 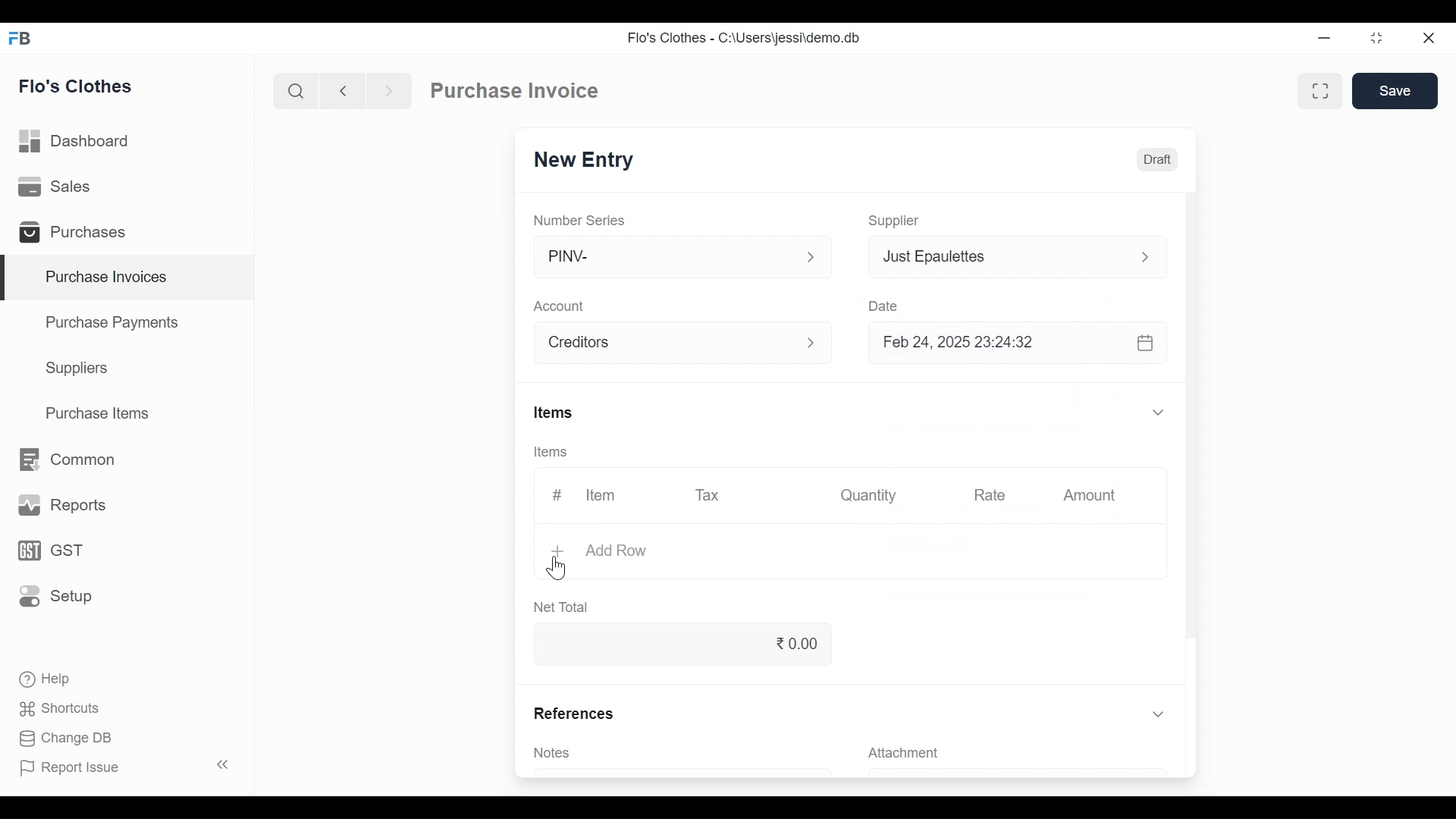 I want to click on Items, so click(x=553, y=412).